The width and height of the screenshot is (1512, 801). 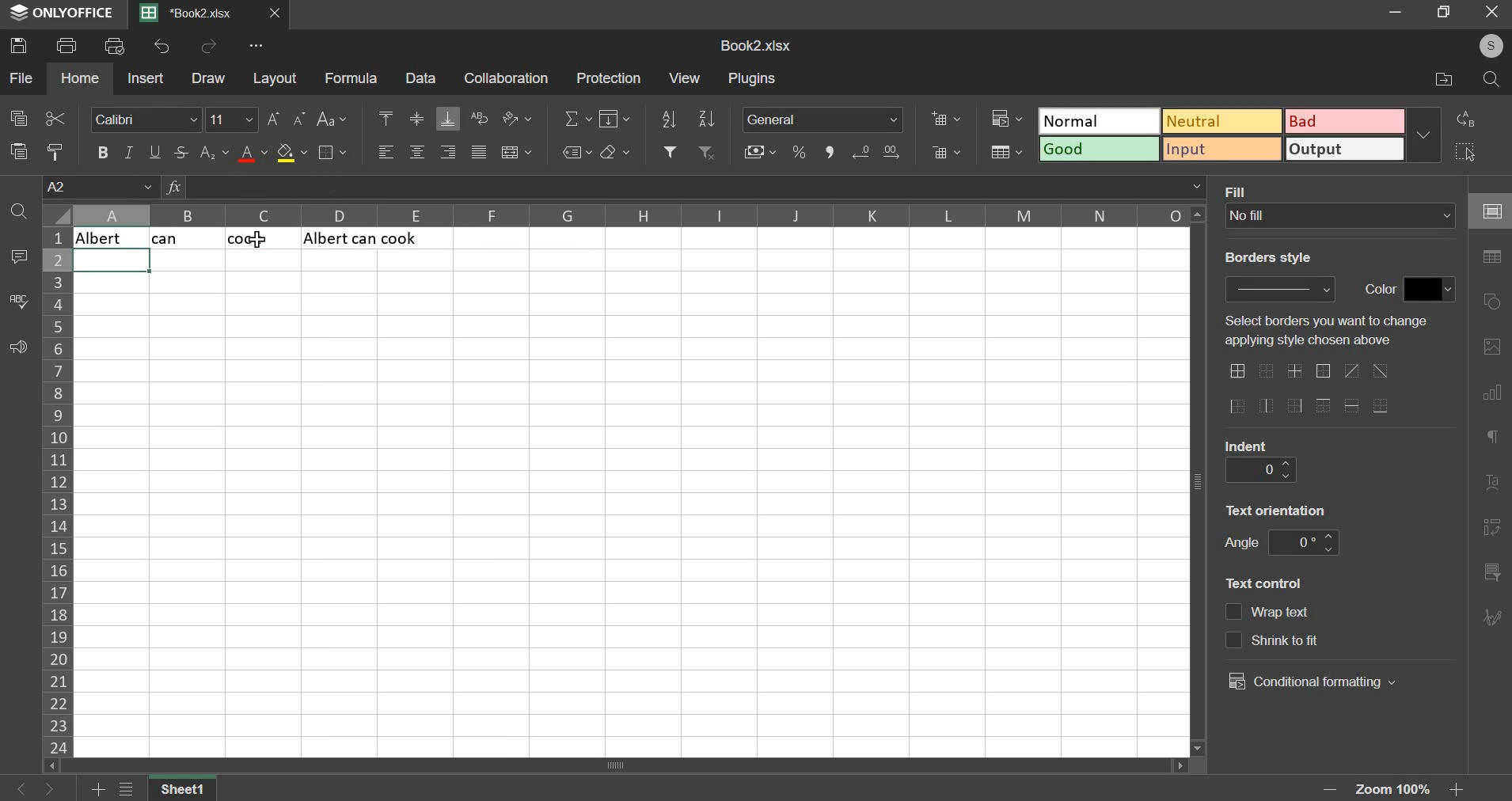 I want to click on feedback, so click(x=18, y=348).